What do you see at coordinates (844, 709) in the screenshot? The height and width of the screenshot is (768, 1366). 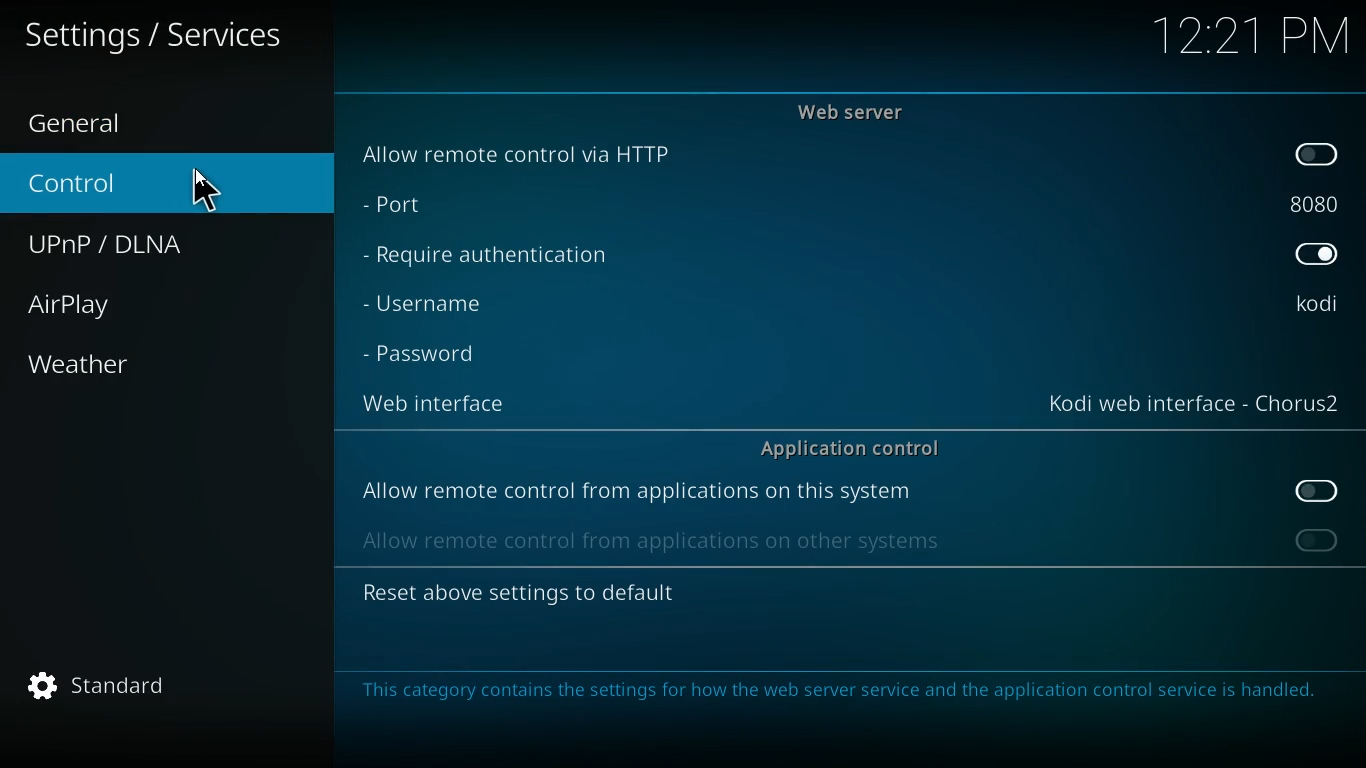 I see `message` at bounding box center [844, 709].